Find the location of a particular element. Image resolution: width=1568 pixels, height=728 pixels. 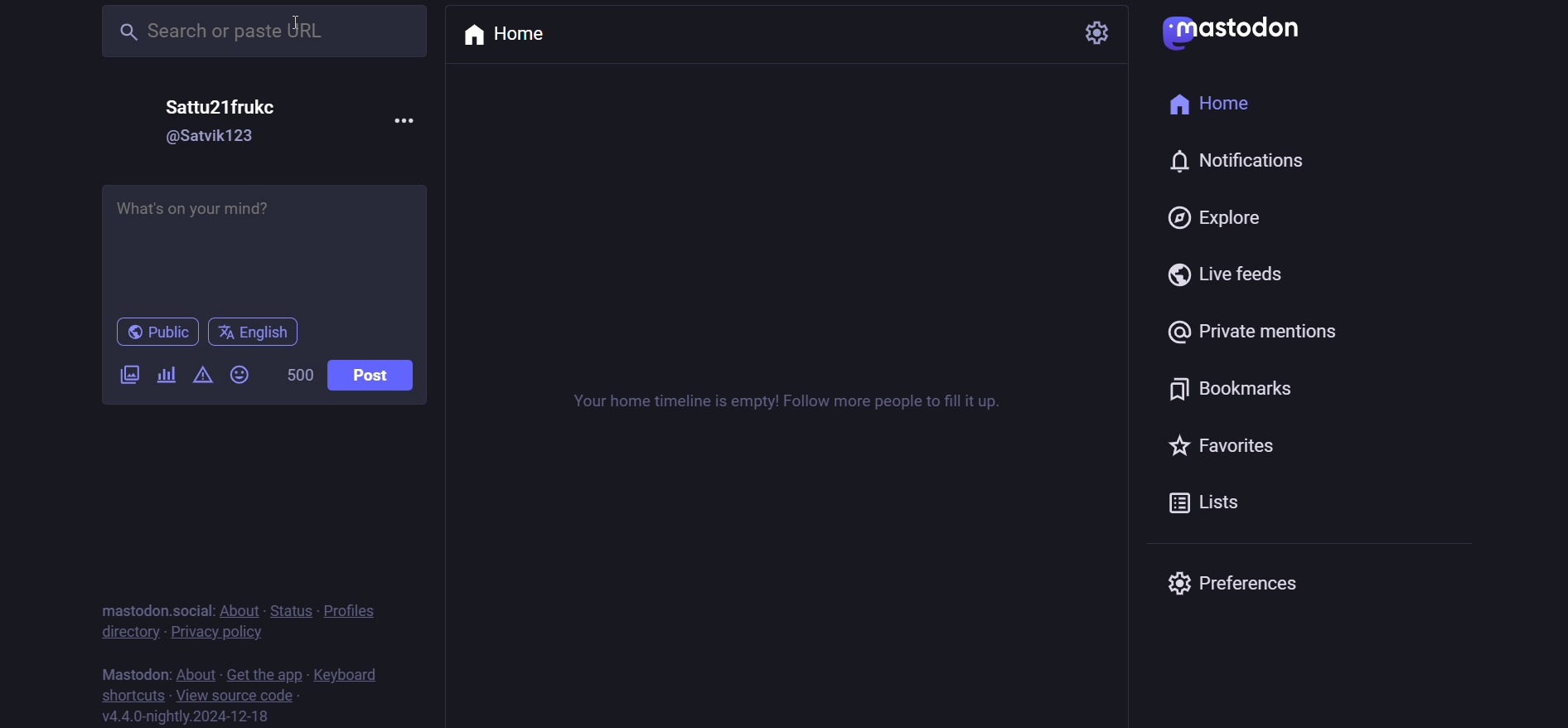

home is located at coordinates (1217, 102).